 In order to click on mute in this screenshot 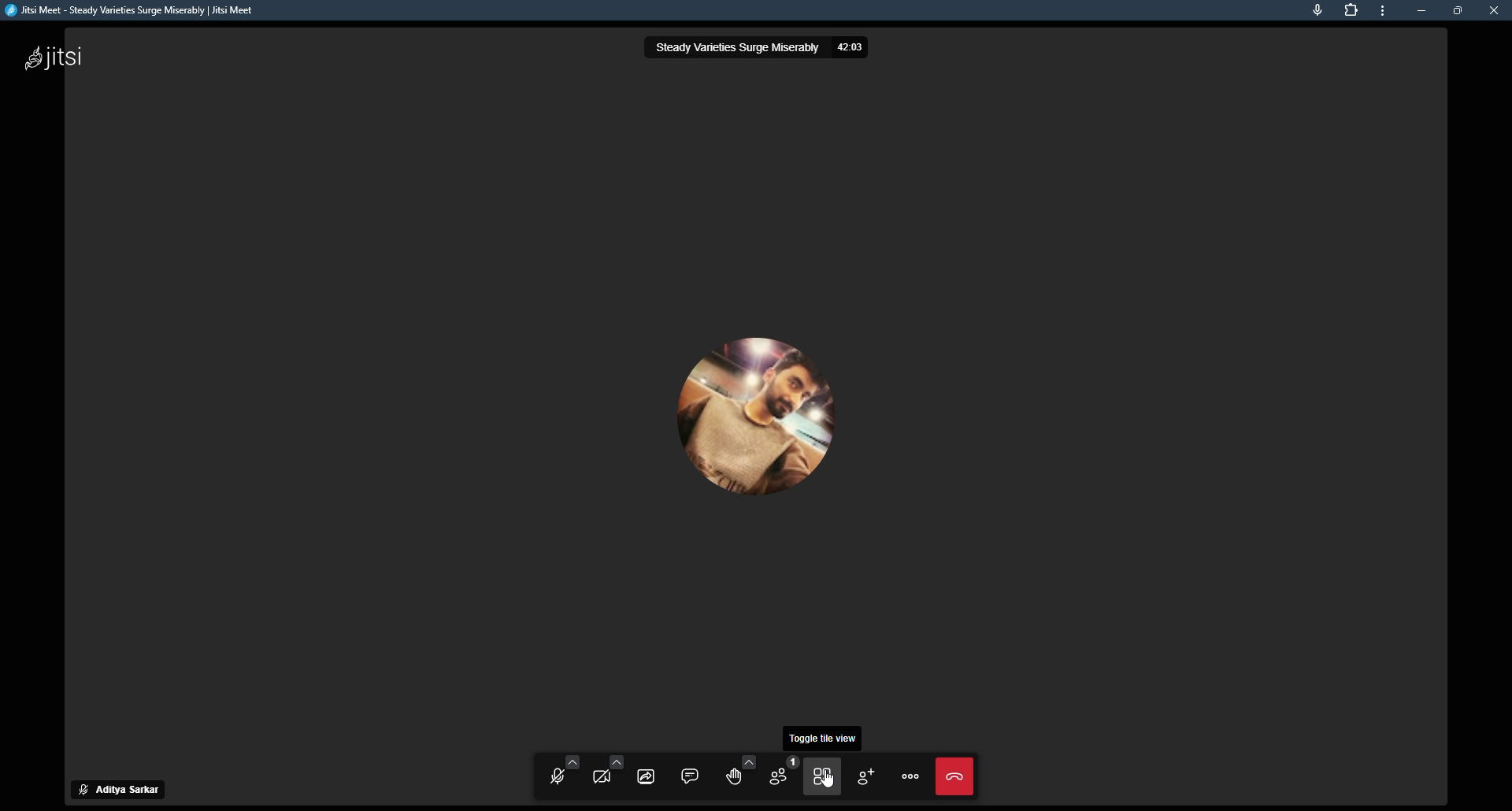, I will do `click(81, 788)`.